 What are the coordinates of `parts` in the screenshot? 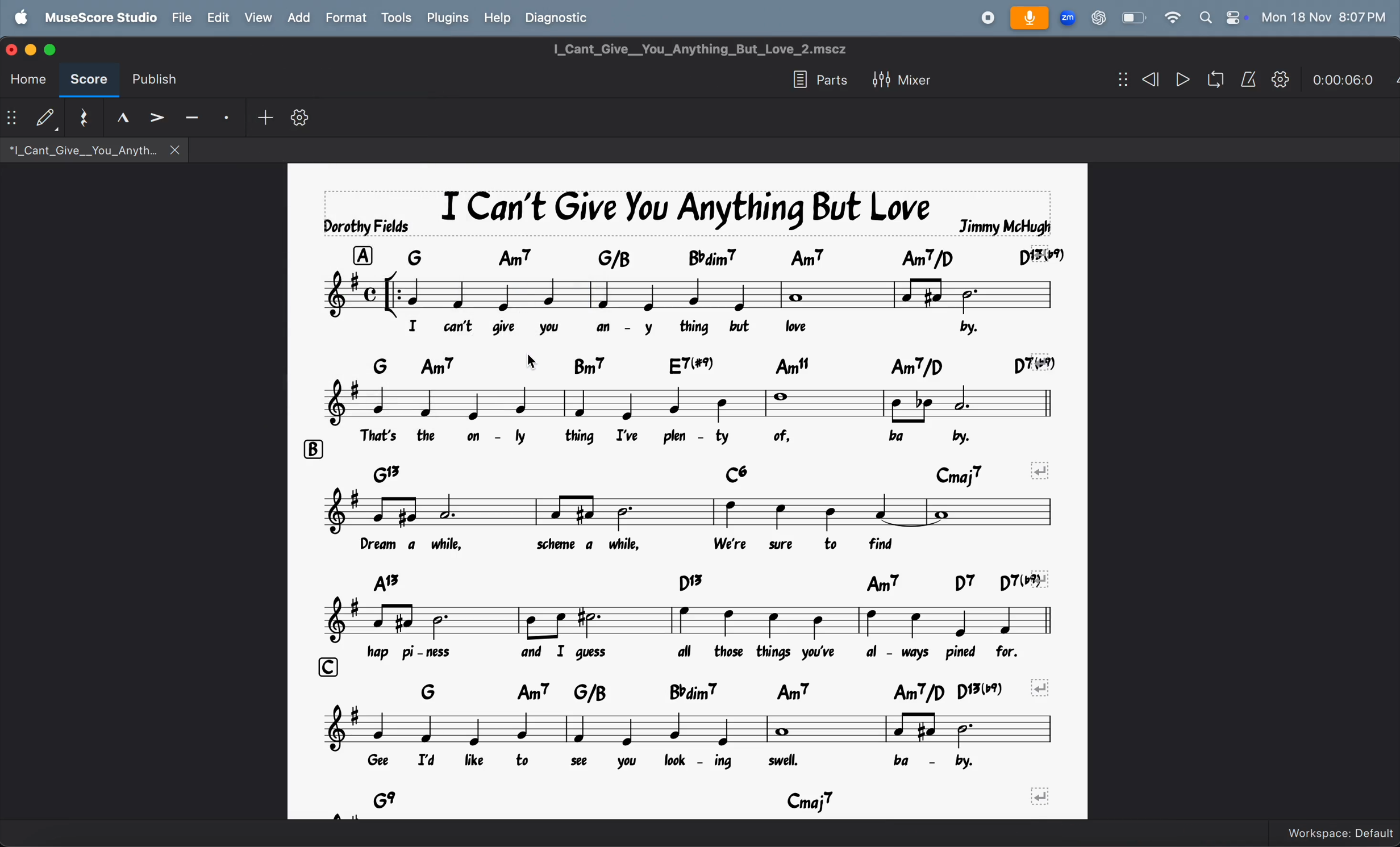 It's located at (822, 80).